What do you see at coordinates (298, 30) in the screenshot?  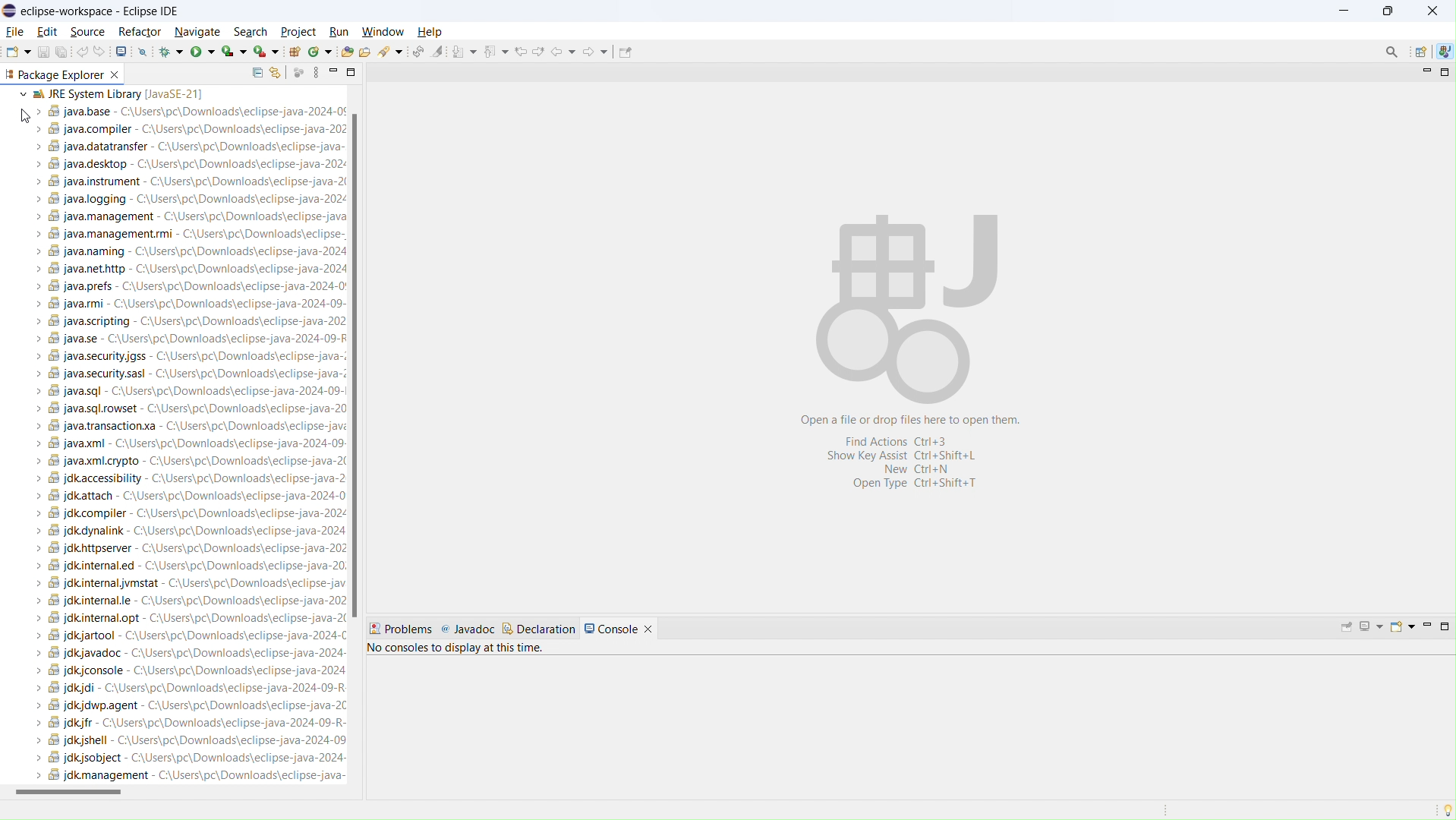 I see `project` at bounding box center [298, 30].